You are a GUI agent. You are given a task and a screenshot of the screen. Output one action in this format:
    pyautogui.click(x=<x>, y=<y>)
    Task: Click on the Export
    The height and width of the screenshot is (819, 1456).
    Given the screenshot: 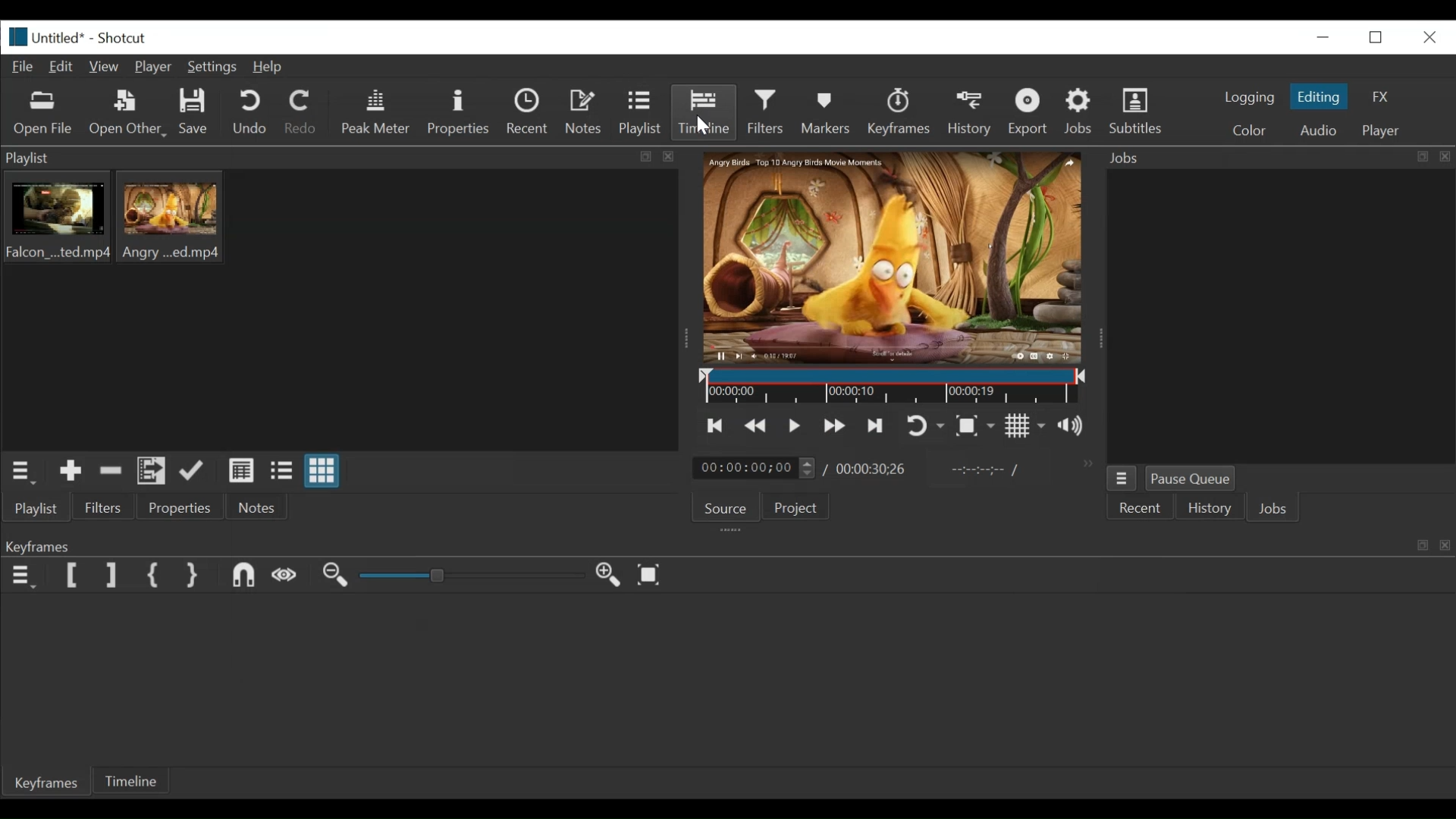 What is the action you would take?
    pyautogui.click(x=1031, y=114)
    